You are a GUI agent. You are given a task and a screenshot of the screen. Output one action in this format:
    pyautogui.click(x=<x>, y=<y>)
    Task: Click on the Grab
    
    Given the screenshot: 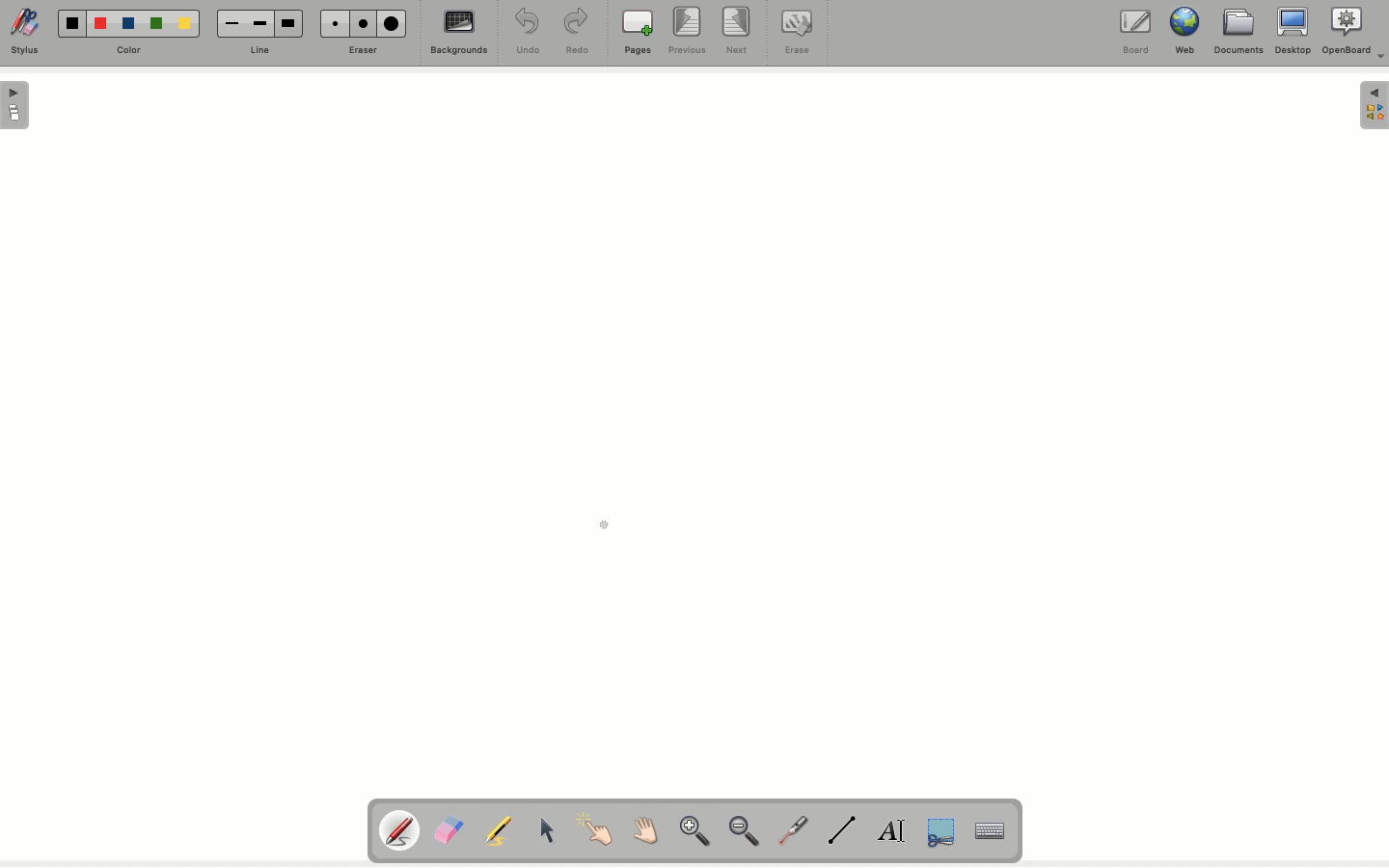 What is the action you would take?
    pyautogui.click(x=643, y=831)
    